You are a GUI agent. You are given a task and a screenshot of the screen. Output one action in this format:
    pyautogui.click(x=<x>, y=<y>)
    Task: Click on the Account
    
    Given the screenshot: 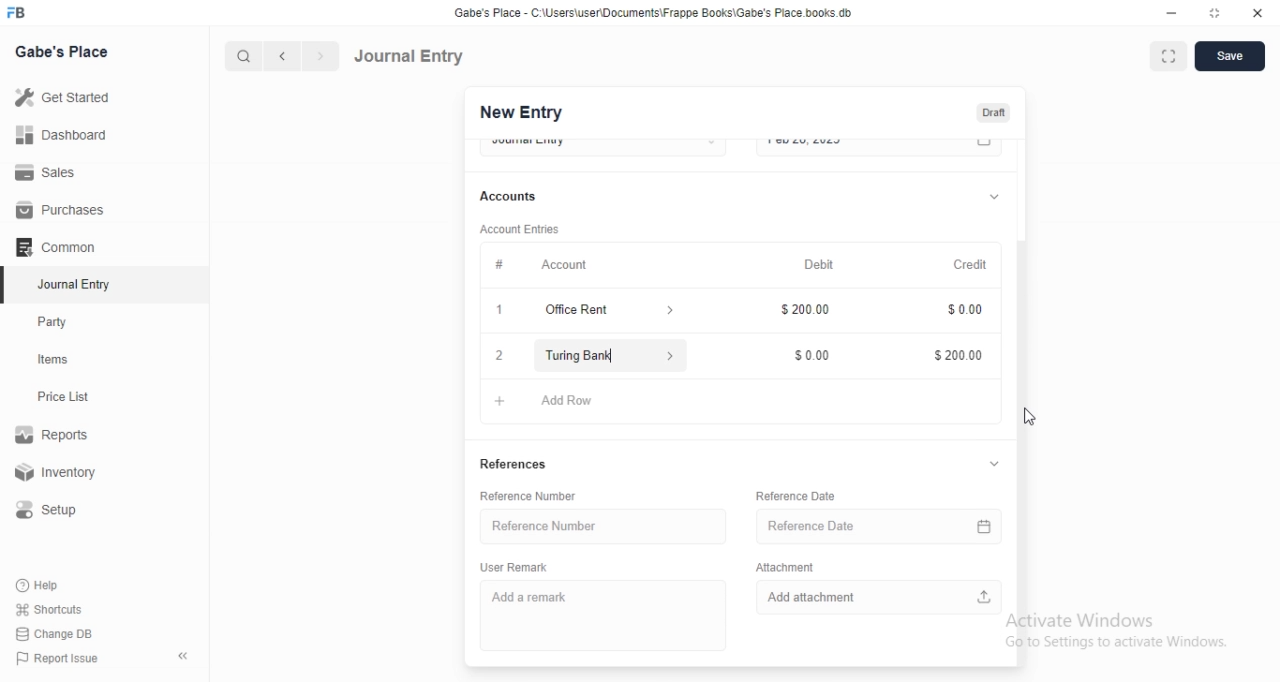 What is the action you would take?
    pyautogui.click(x=566, y=263)
    